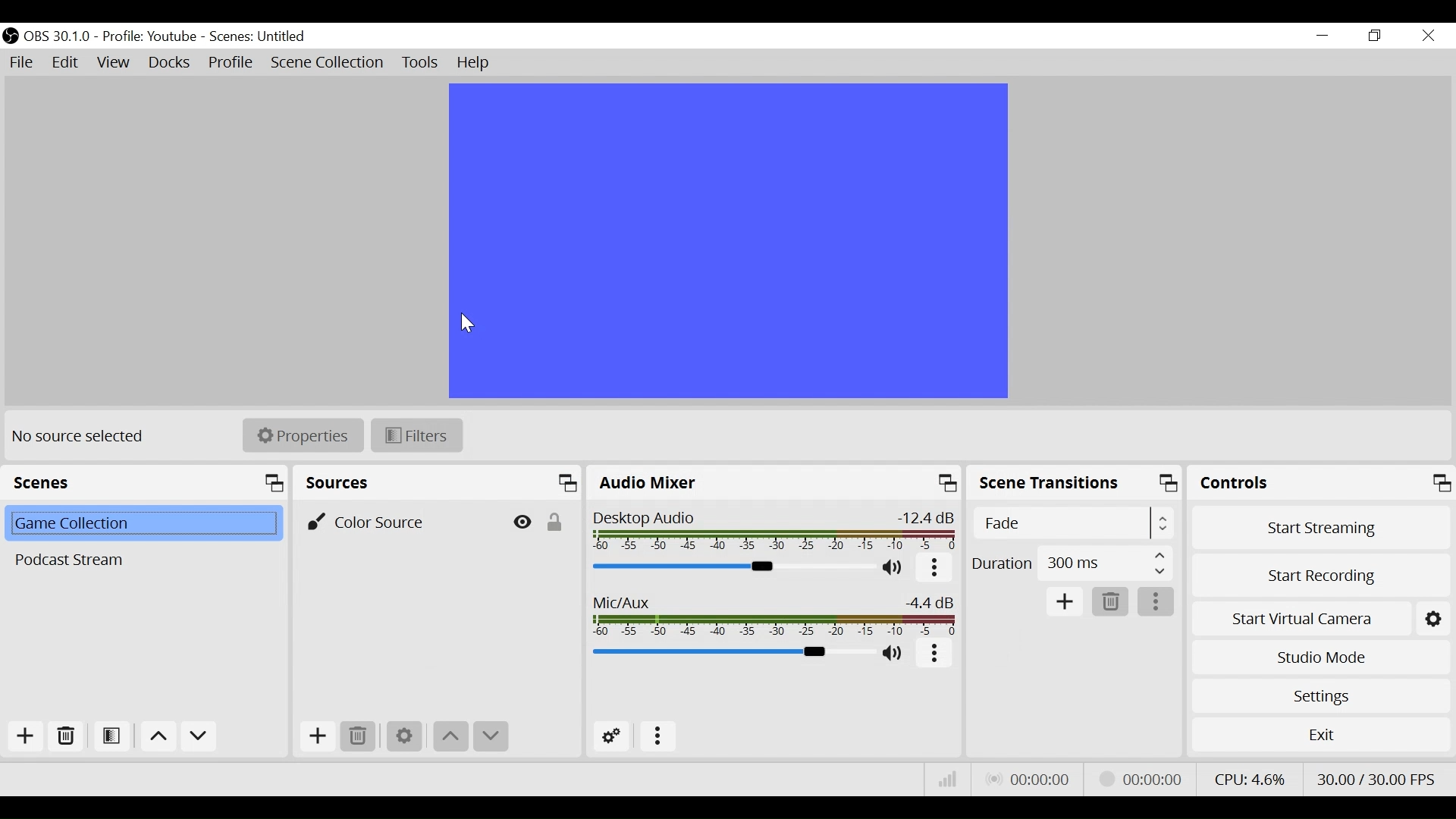  I want to click on Desktop Audio, so click(776, 530).